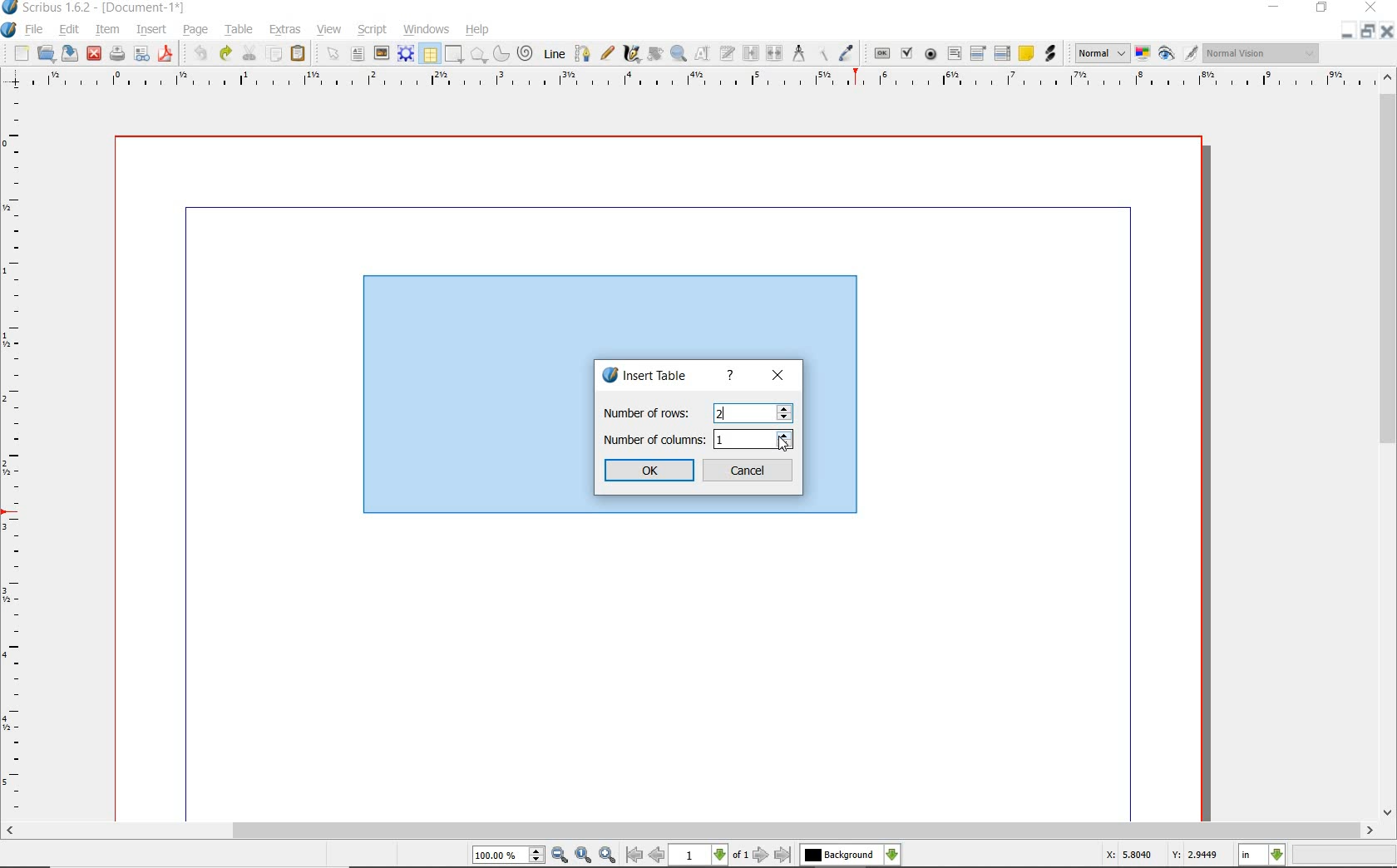 The image size is (1397, 868). Describe the element at coordinates (703, 54) in the screenshot. I see `edit contents of frame` at that location.